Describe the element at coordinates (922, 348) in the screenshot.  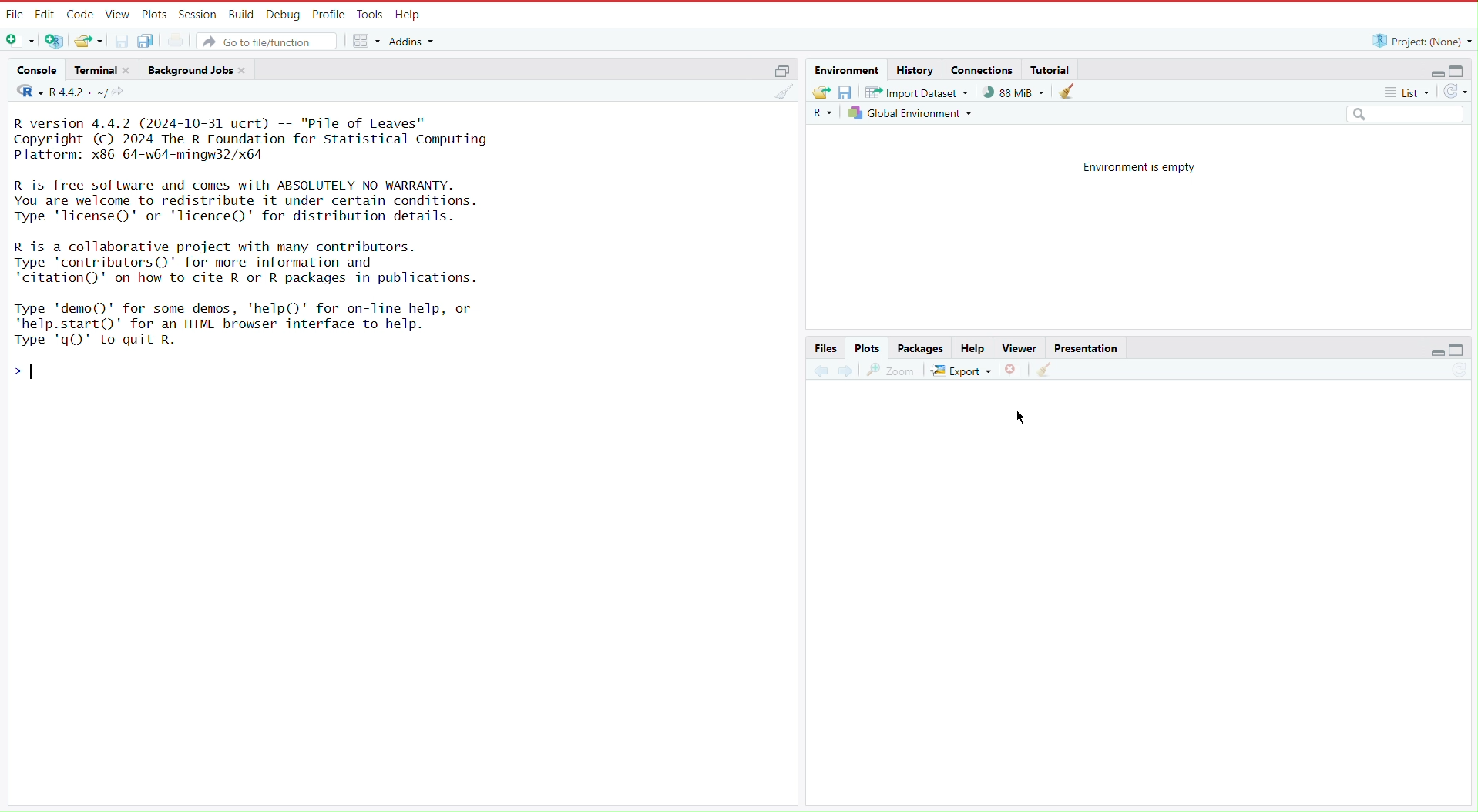
I see `Packages` at that location.